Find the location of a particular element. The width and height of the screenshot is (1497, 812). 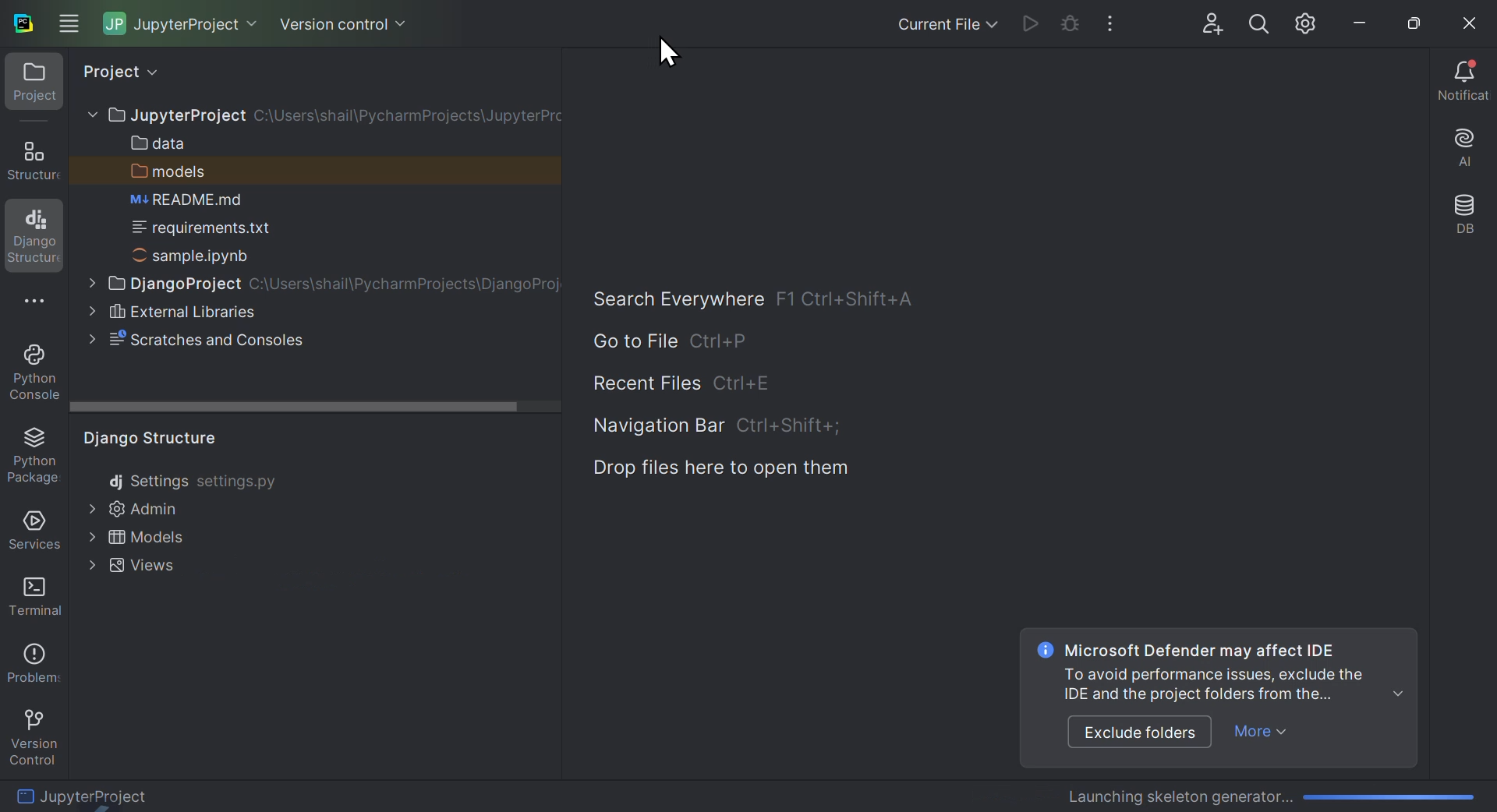

Sample.Ipymb is located at coordinates (202, 256).